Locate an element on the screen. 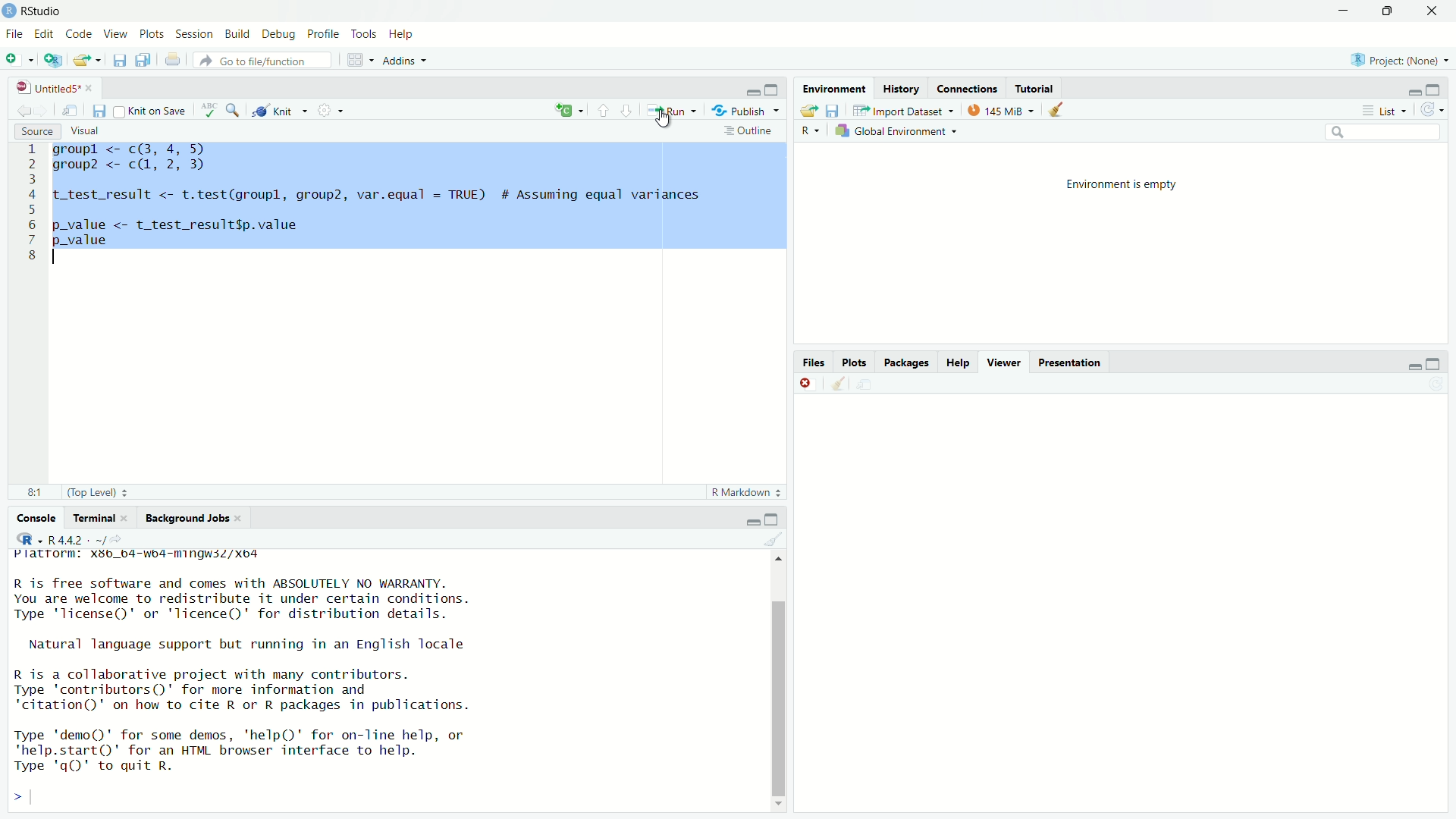 This screenshot has width=1456, height=819. load workspace is located at coordinates (808, 110).